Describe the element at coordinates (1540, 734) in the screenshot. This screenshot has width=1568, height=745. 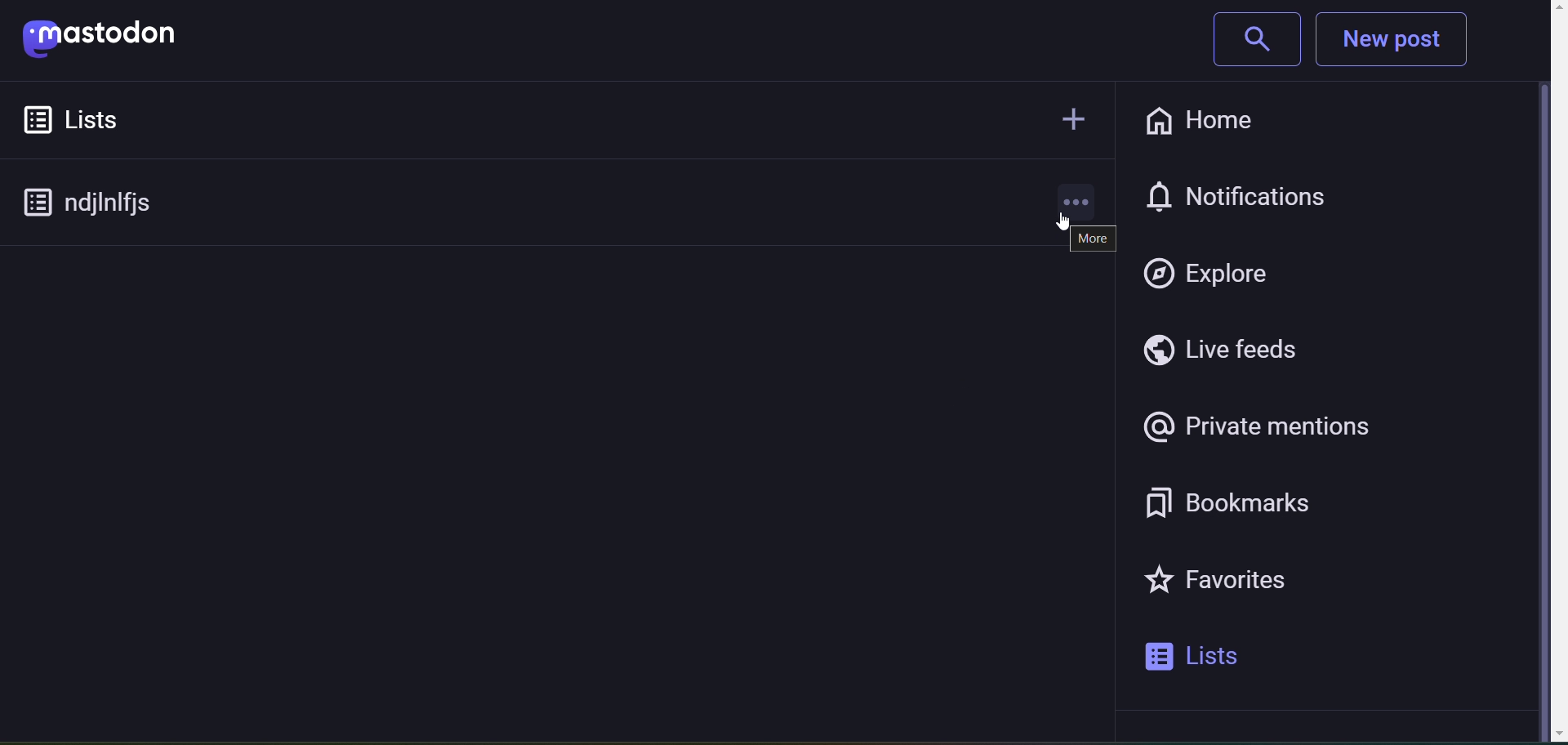
I see `scroll down` at that location.